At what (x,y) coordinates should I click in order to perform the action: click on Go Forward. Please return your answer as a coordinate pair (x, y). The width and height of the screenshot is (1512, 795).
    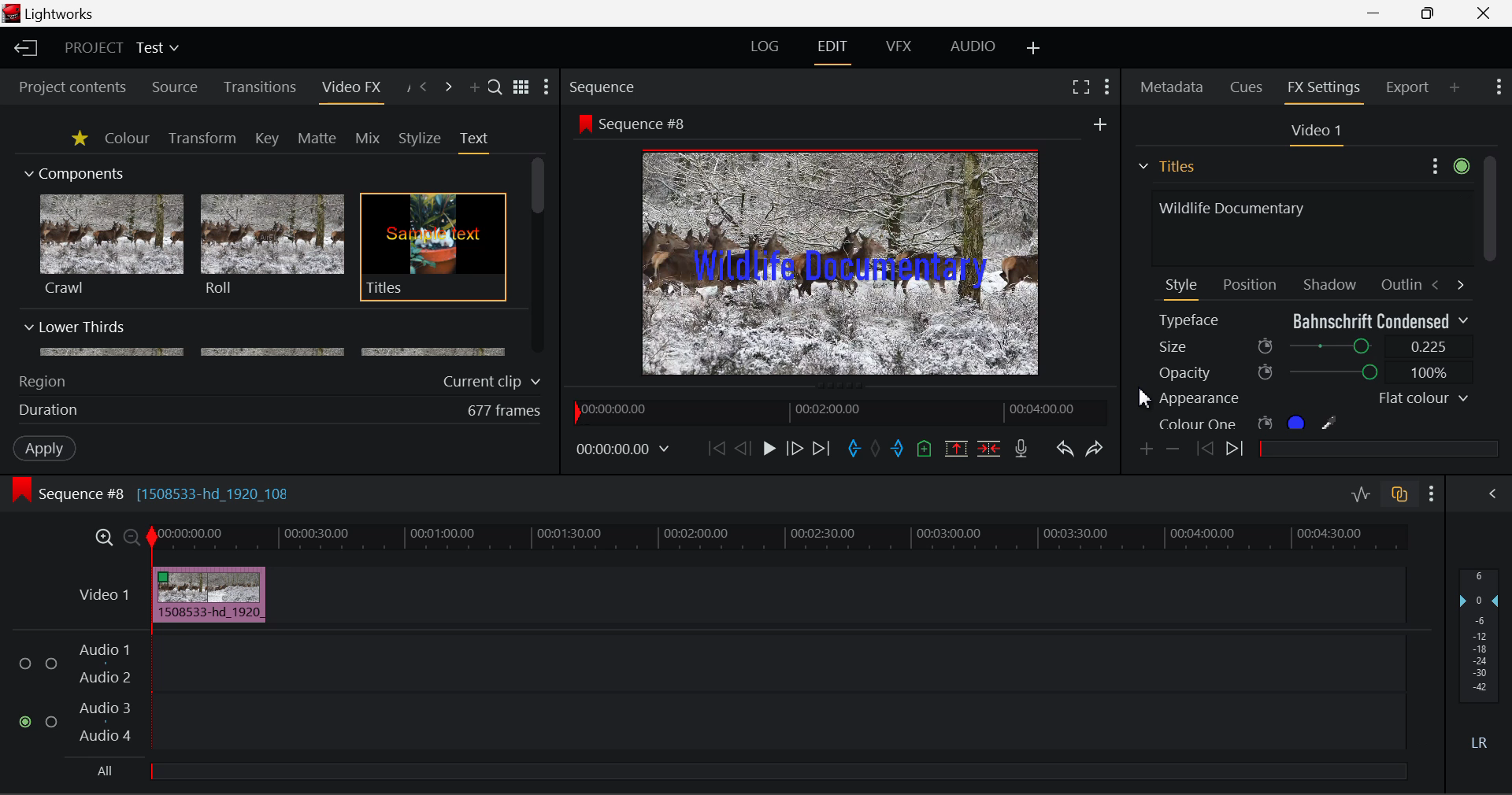
    Looking at the image, I should click on (794, 449).